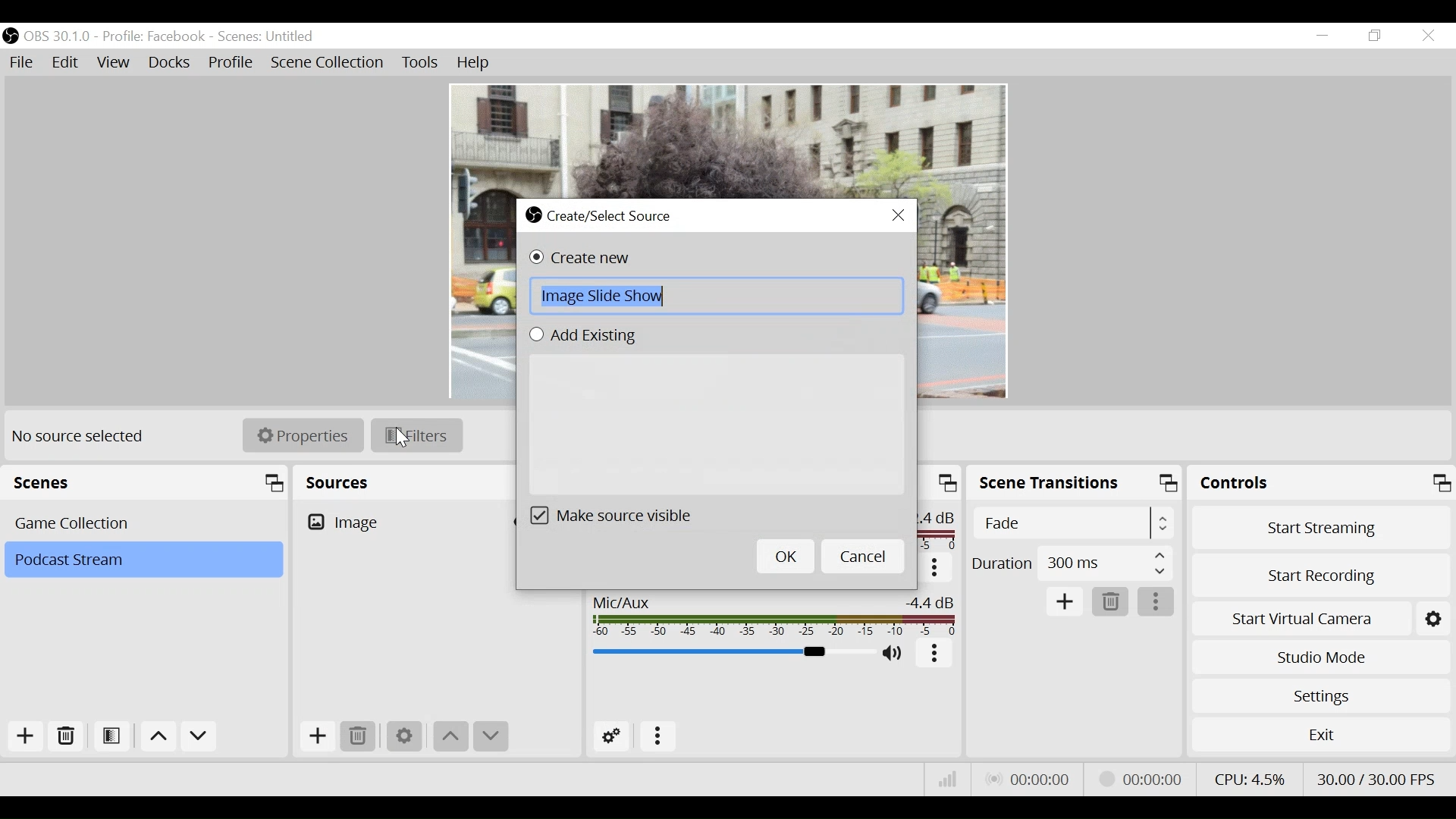 The height and width of the screenshot is (819, 1456). Describe the element at coordinates (1027, 780) in the screenshot. I see `Live Status` at that location.